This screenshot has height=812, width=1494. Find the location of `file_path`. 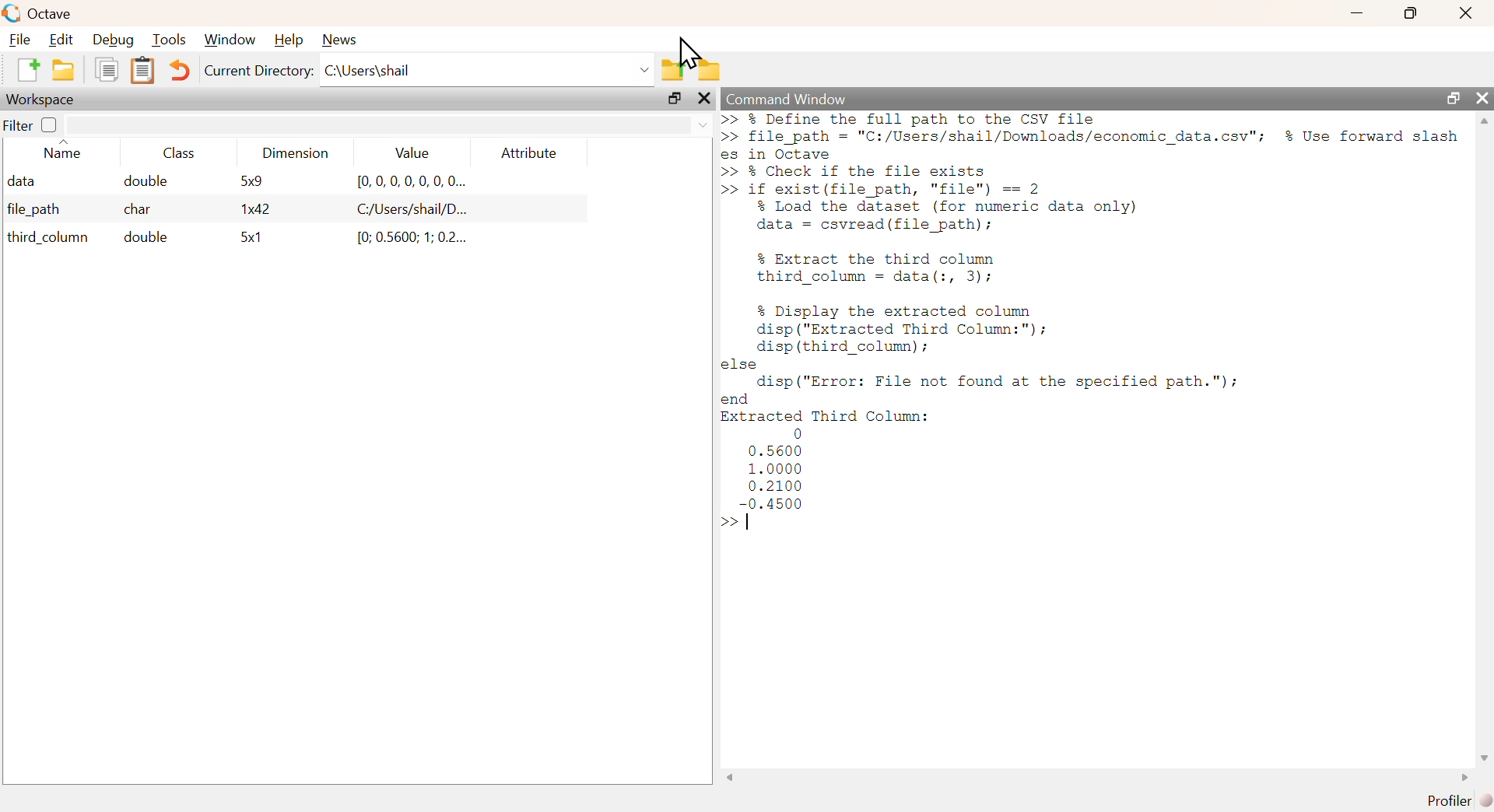

file_path is located at coordinates (40, 212).